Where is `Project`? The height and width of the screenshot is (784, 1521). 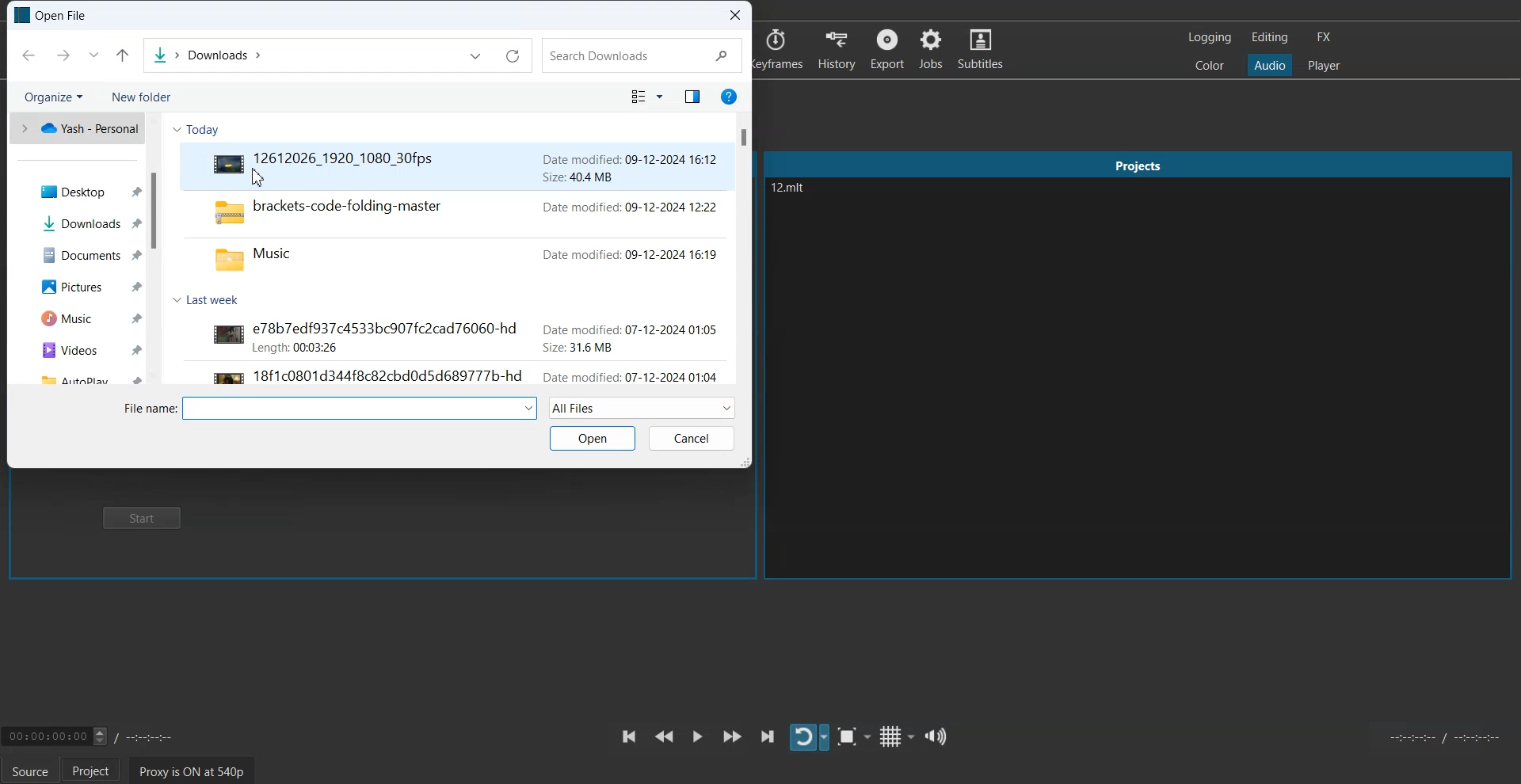 Project is located at coordinates (1137, 165).